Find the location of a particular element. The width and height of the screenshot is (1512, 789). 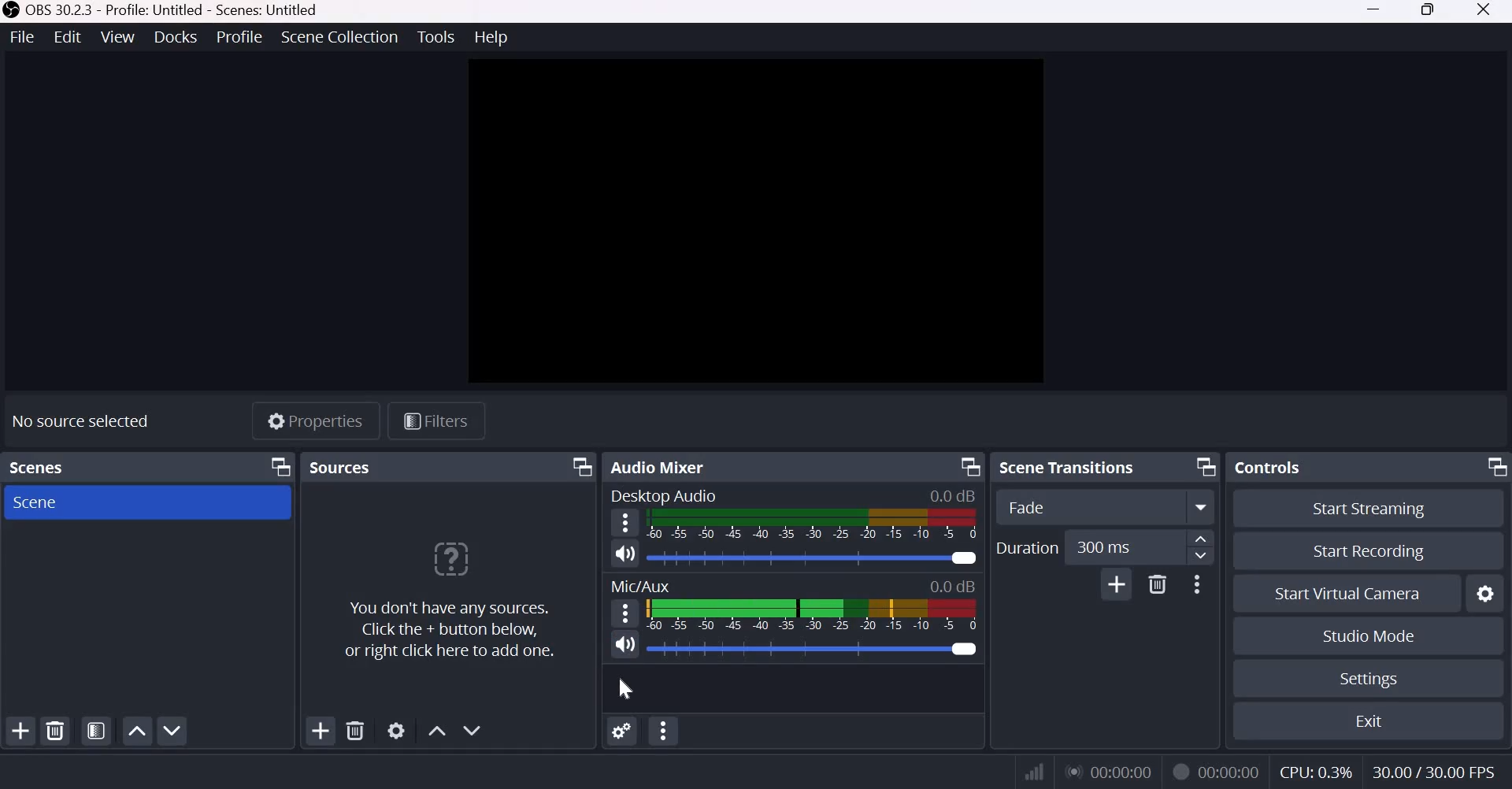

Audio Slider is located at coordinates (813, 560).